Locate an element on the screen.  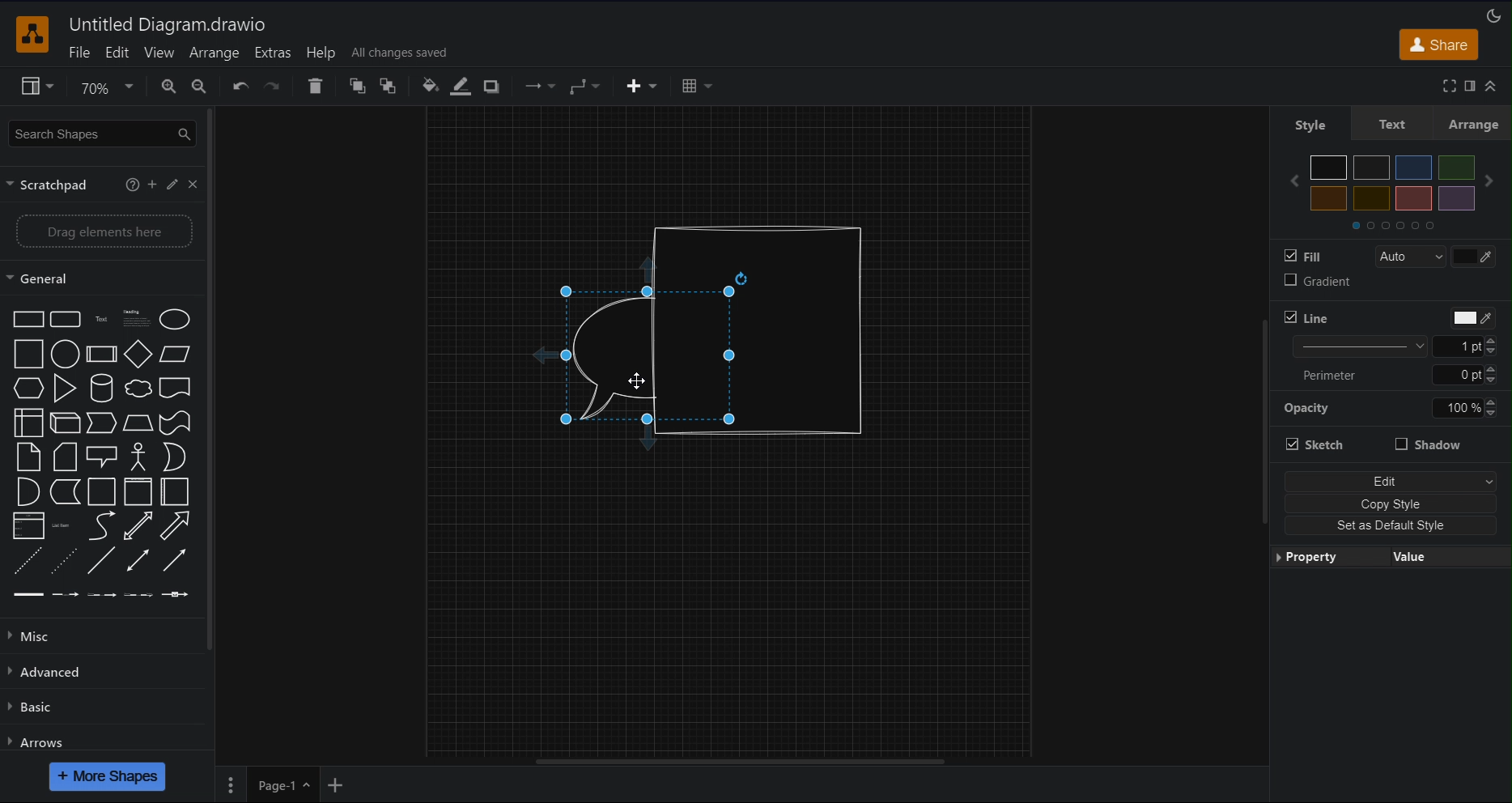
Note is located at coordinates (28, 457).